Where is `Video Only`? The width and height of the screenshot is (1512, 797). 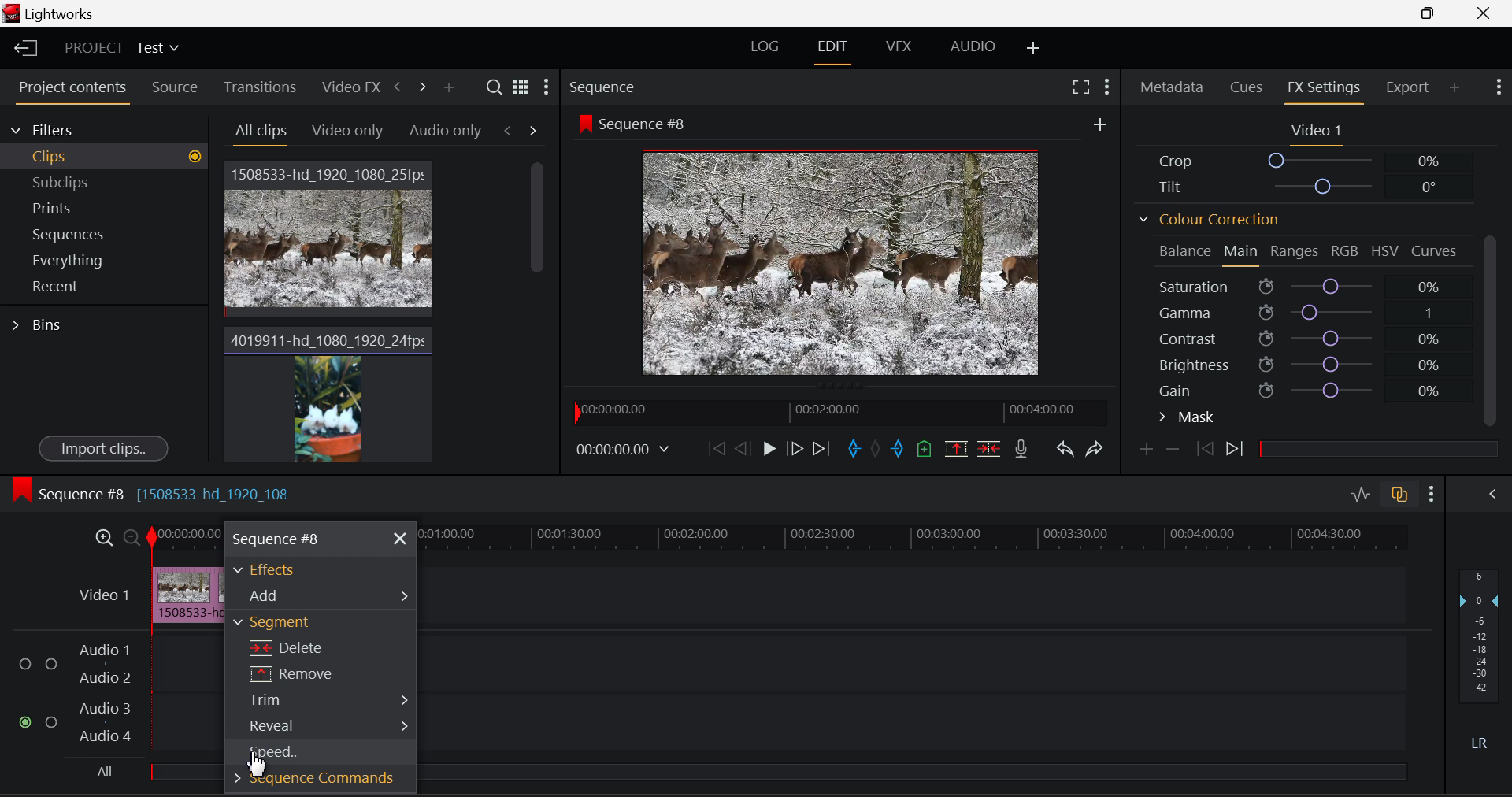
Video Only is located at coordinates (345, 128).